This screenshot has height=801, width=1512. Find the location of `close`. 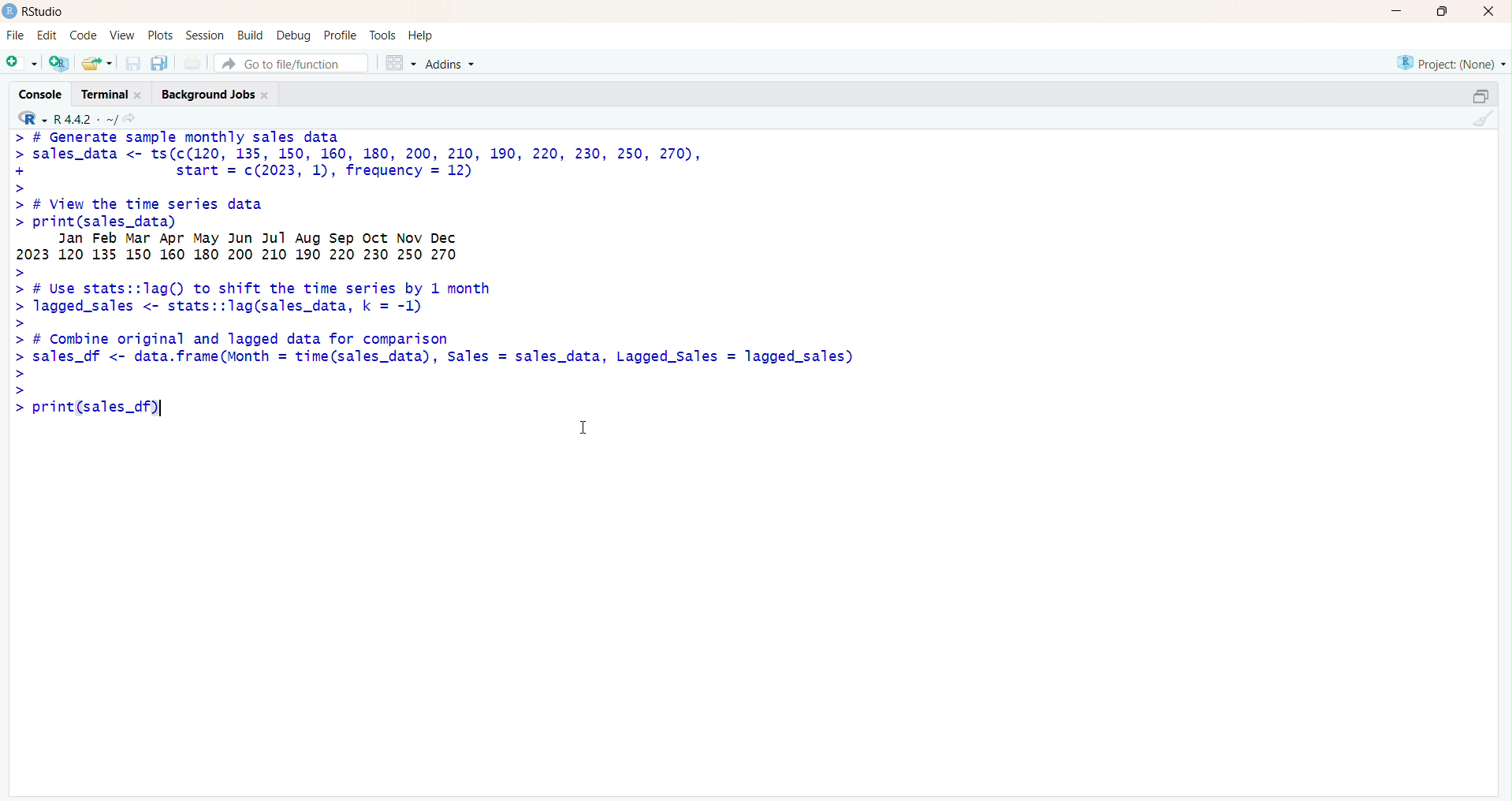

close is located at coordinates (1485, 12).